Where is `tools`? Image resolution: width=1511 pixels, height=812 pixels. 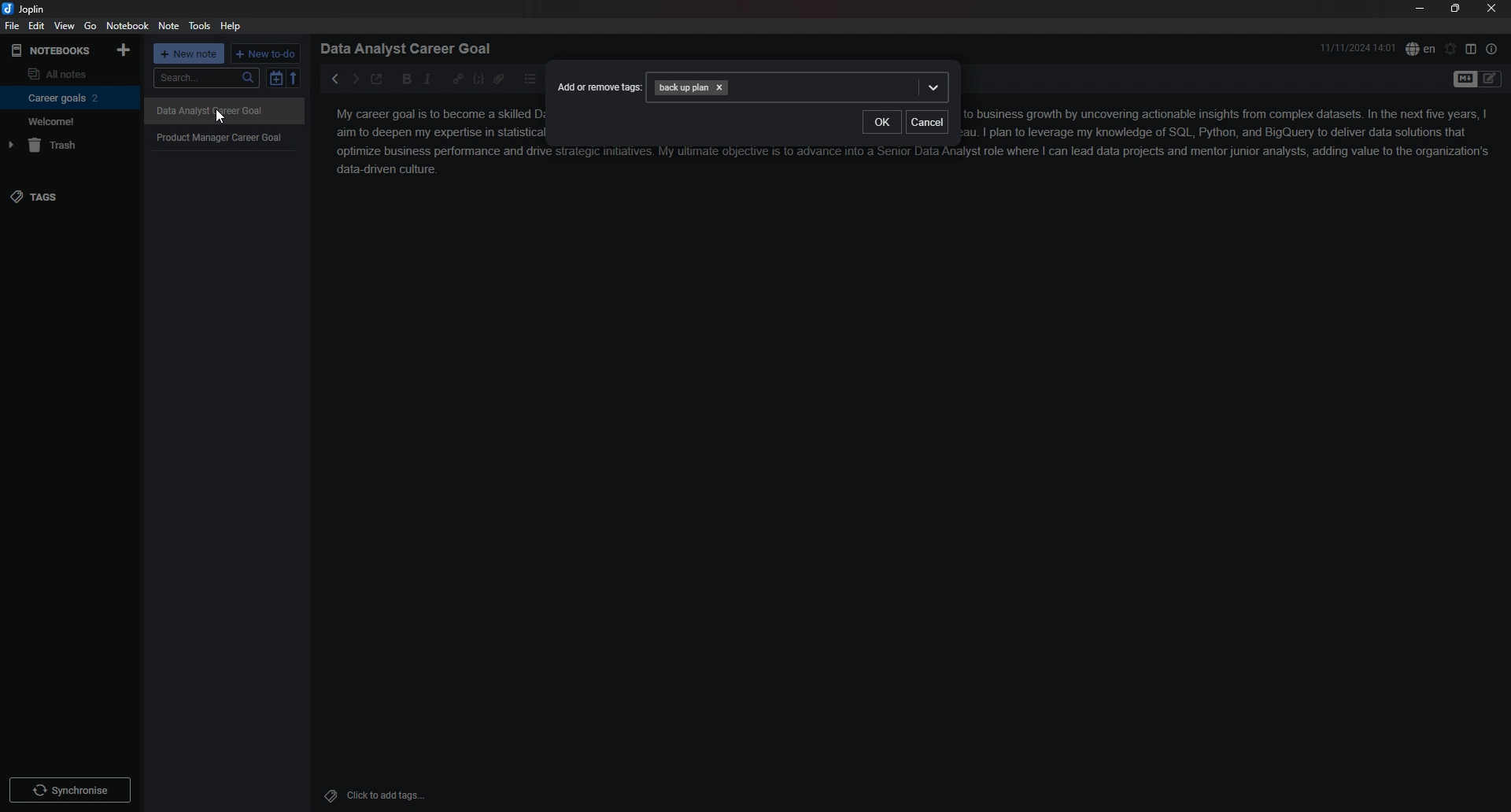
tools is located at coordinates (200, 26).